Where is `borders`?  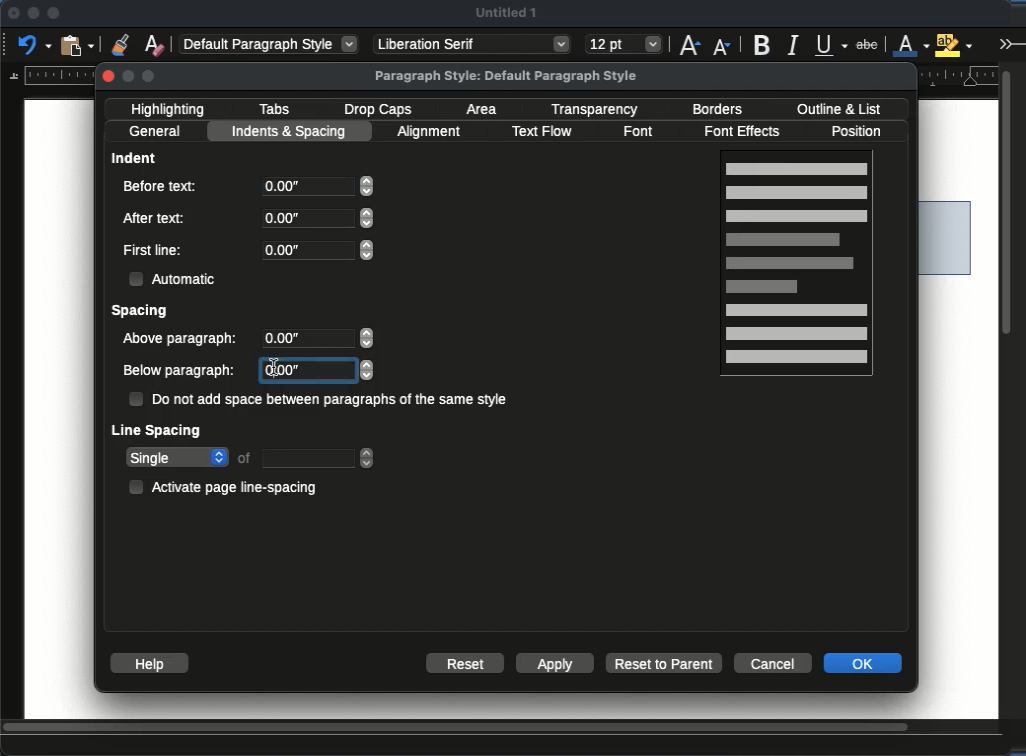
borders is located at coordinates (716, 110).